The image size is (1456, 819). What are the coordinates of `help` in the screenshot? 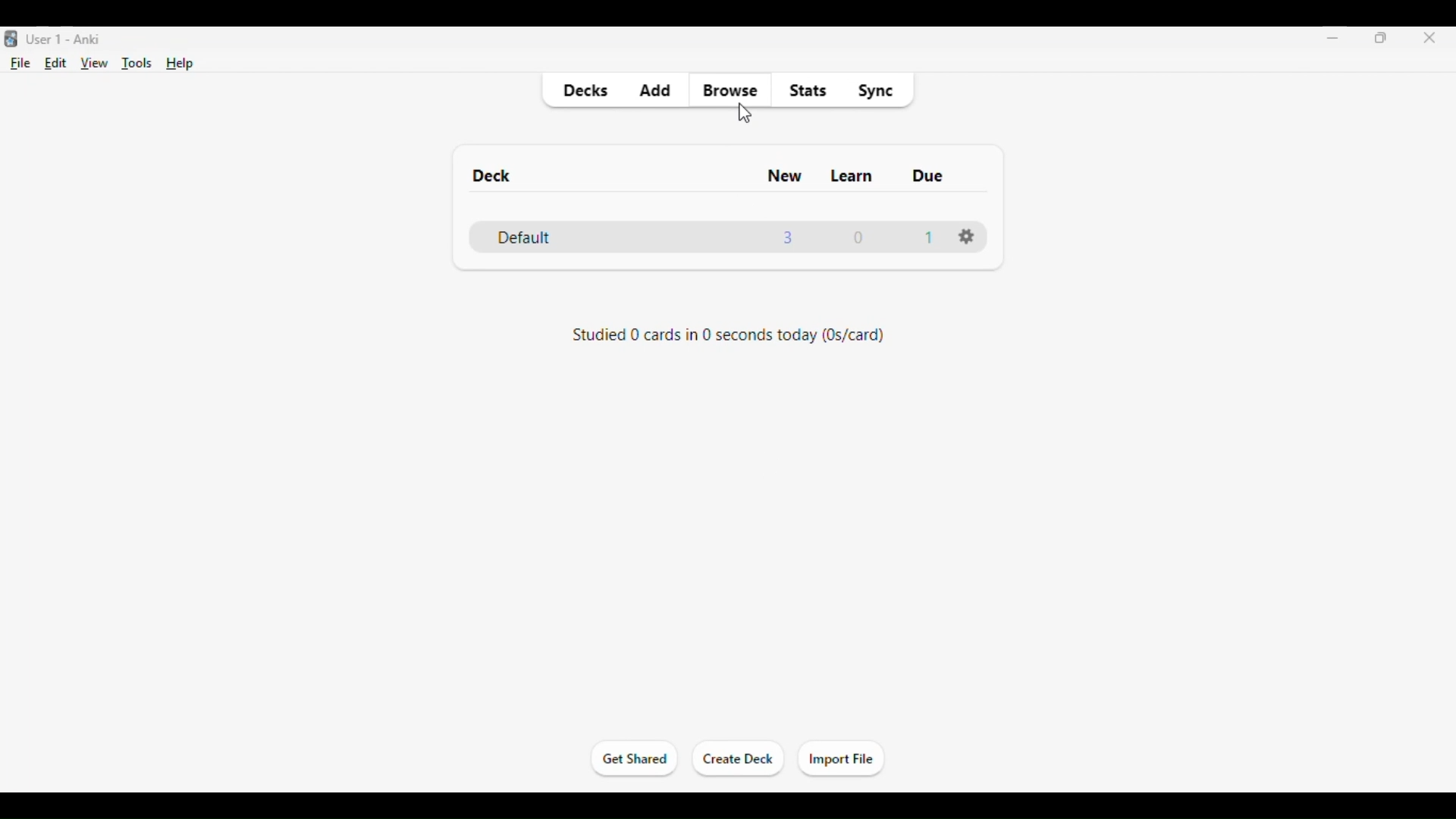 It's located at (180, 64).